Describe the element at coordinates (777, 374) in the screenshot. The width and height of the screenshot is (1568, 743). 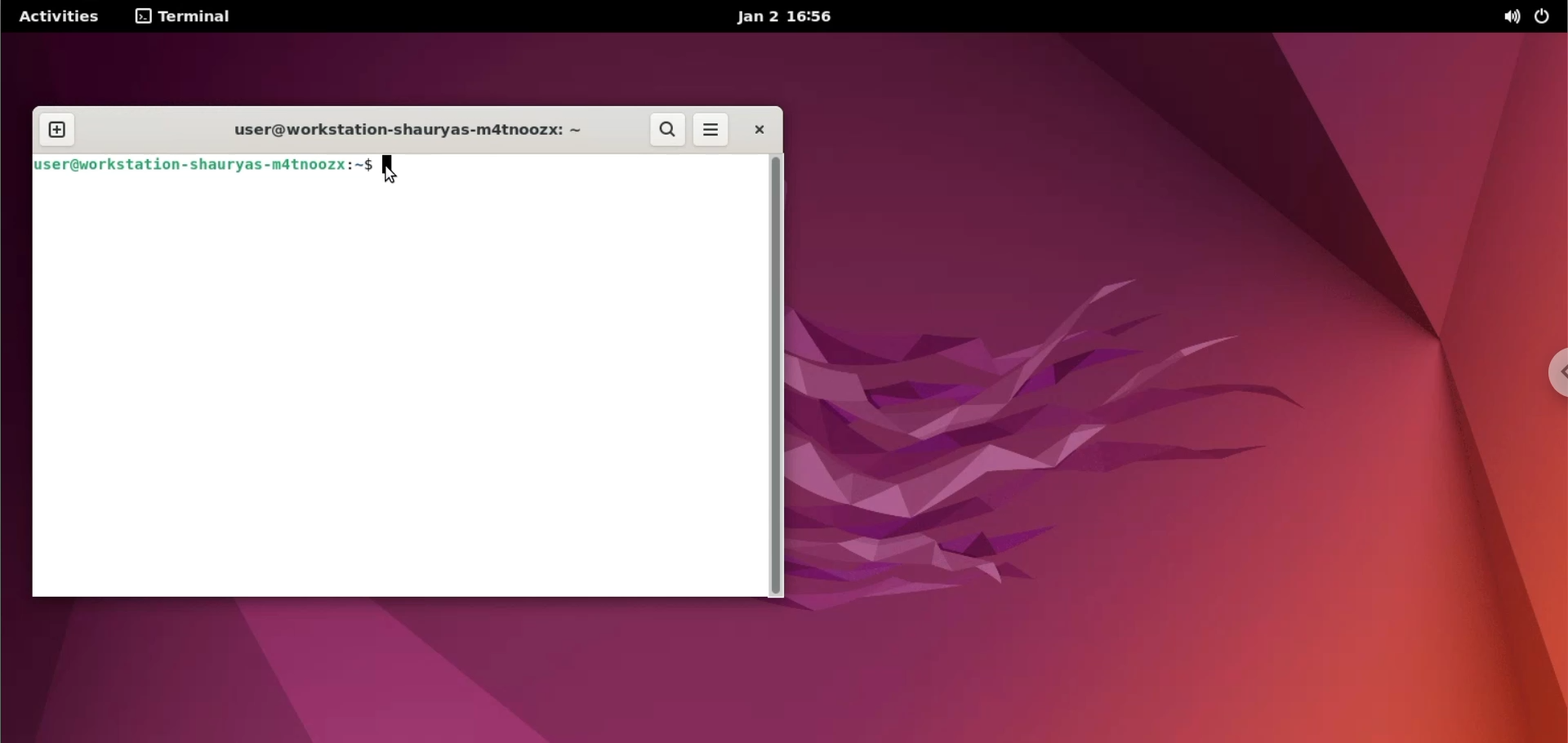
I see `scrollbar` at that location.